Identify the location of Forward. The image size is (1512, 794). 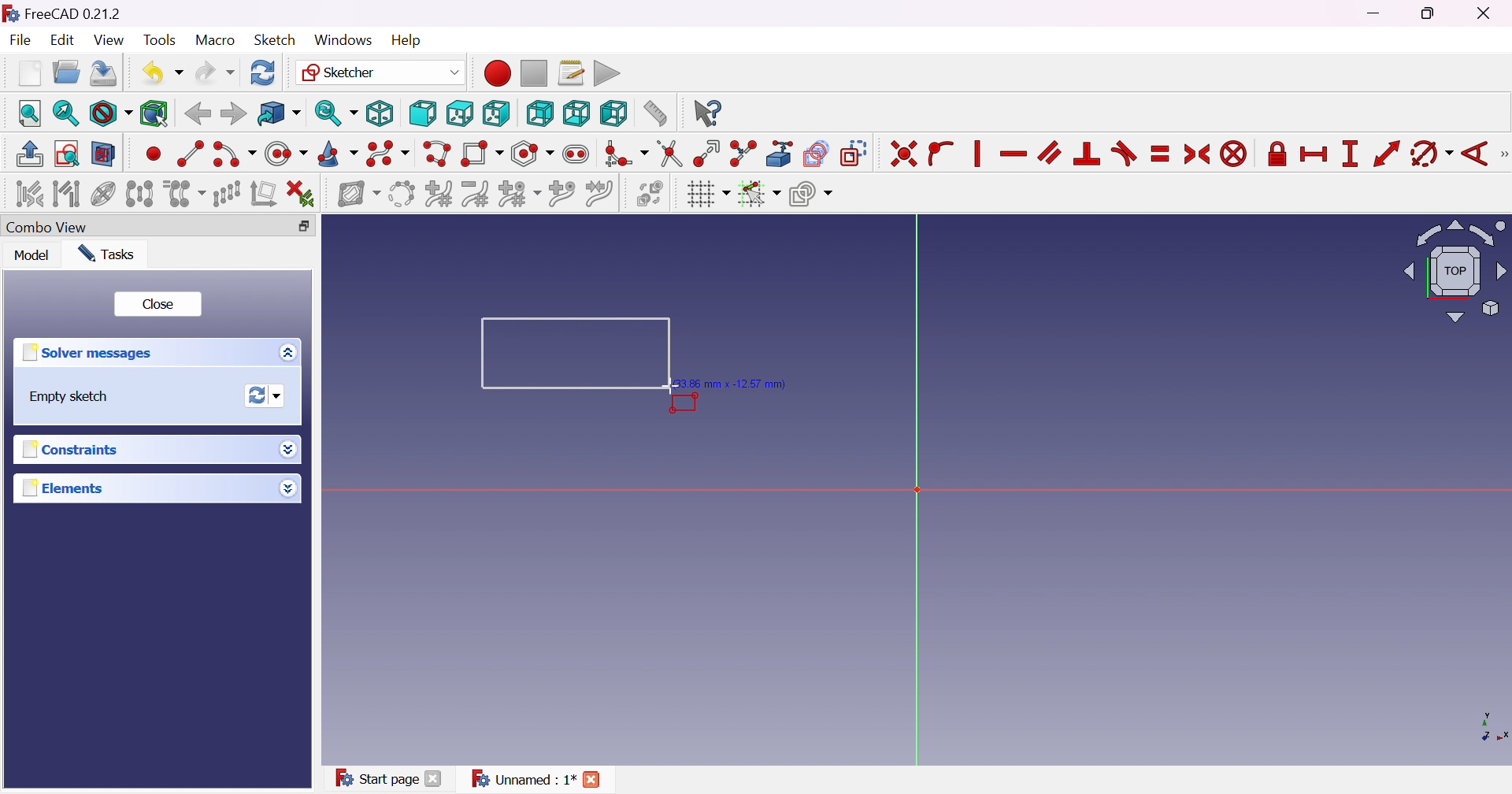
(234, 113).